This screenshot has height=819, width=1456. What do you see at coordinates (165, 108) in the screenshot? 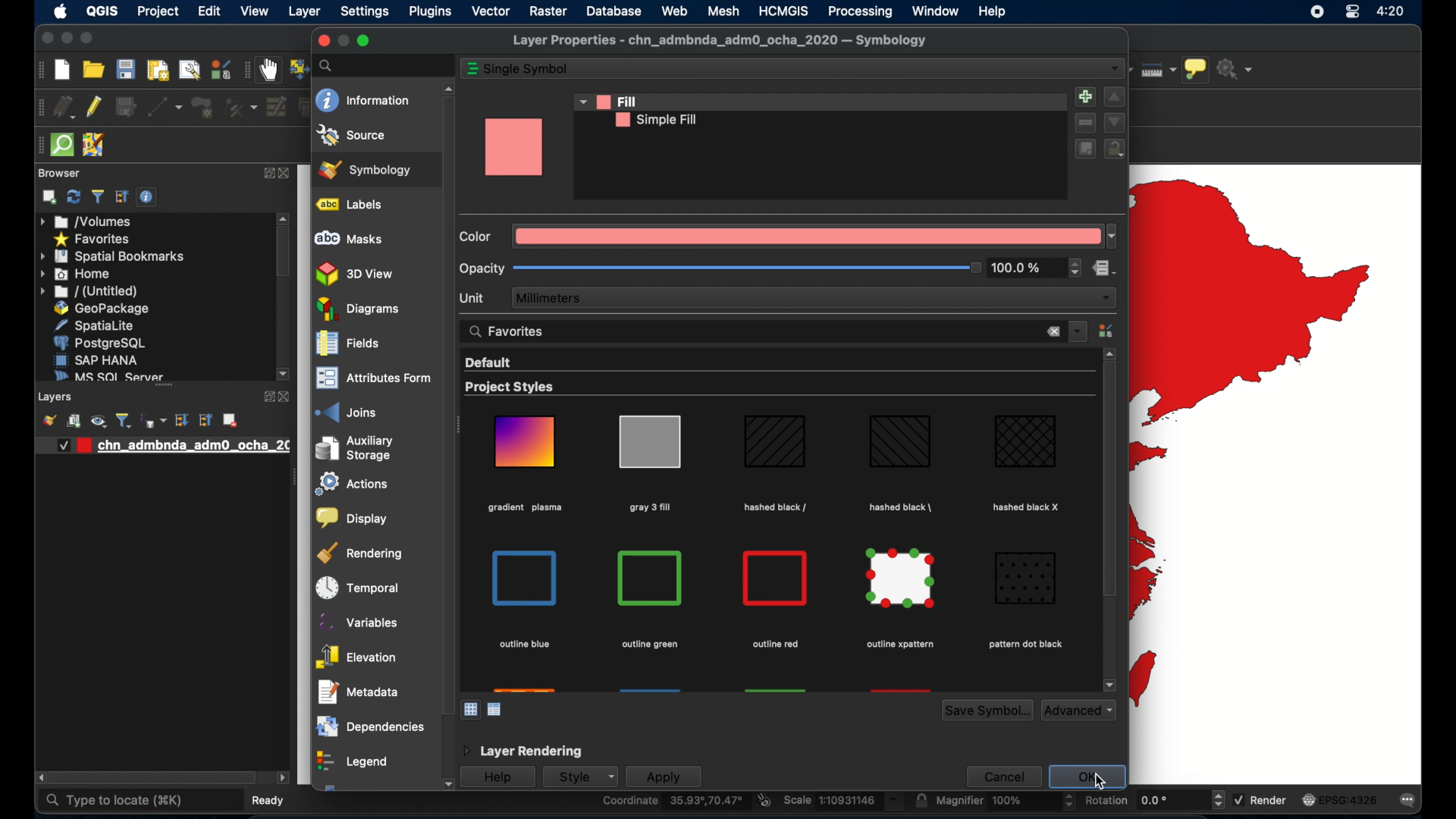
I see `digitize with segment` at bounding box center [165, 108].